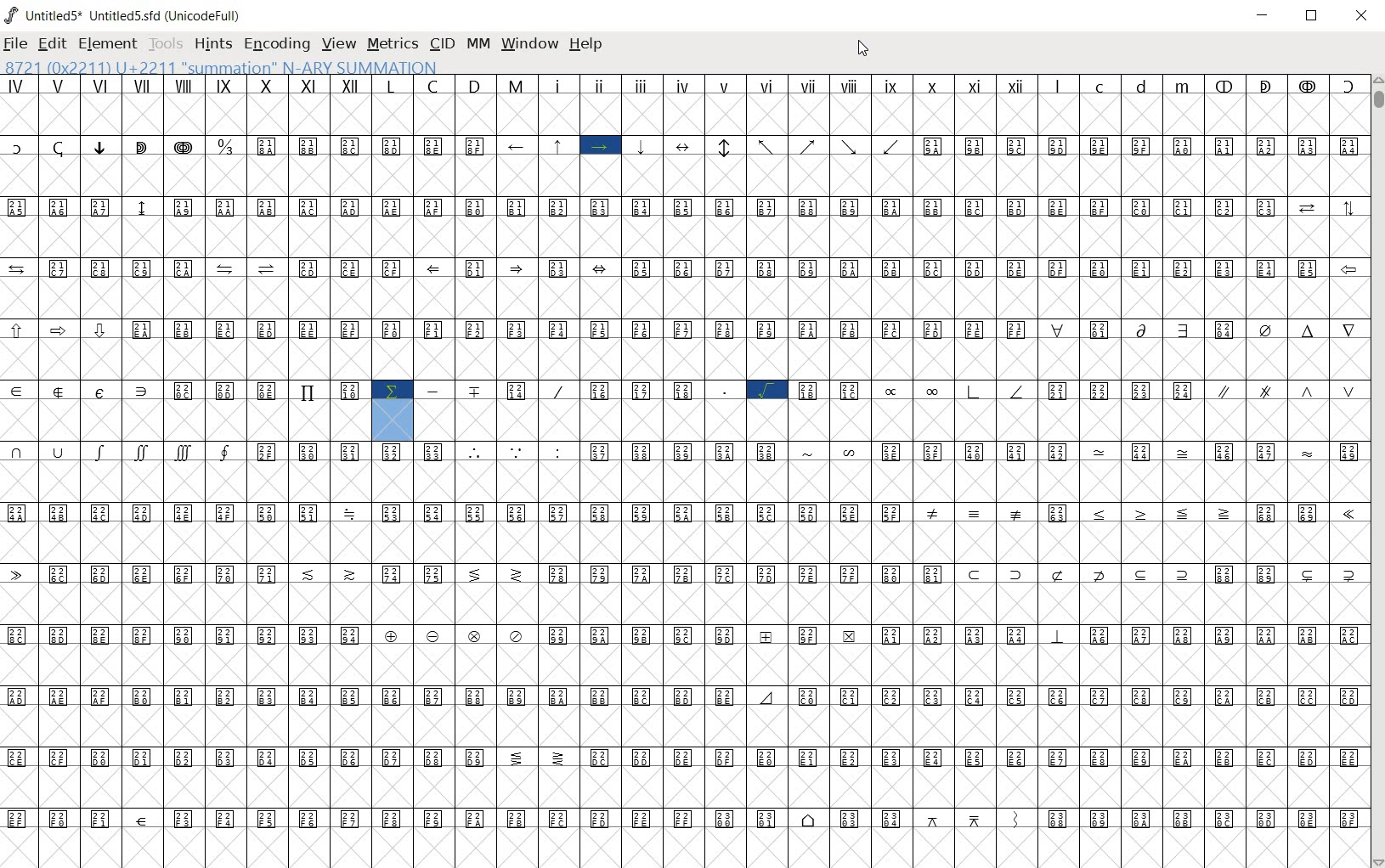 The image size is (1385, 868). I want to click on small letters l c d m, so click(1125, 82).